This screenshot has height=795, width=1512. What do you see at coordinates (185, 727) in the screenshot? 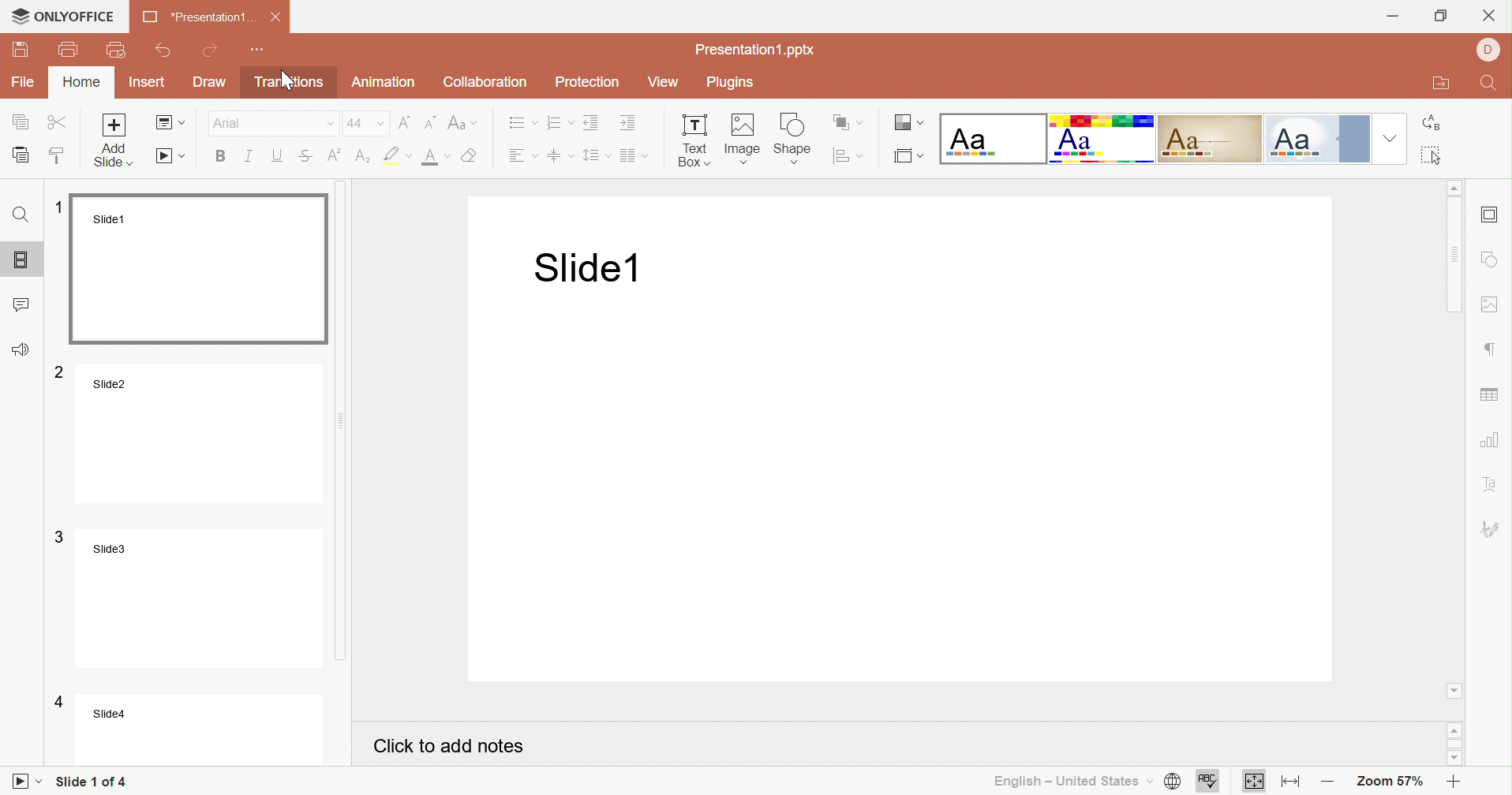
I see `Slide4` at bounding box center [185, 727].